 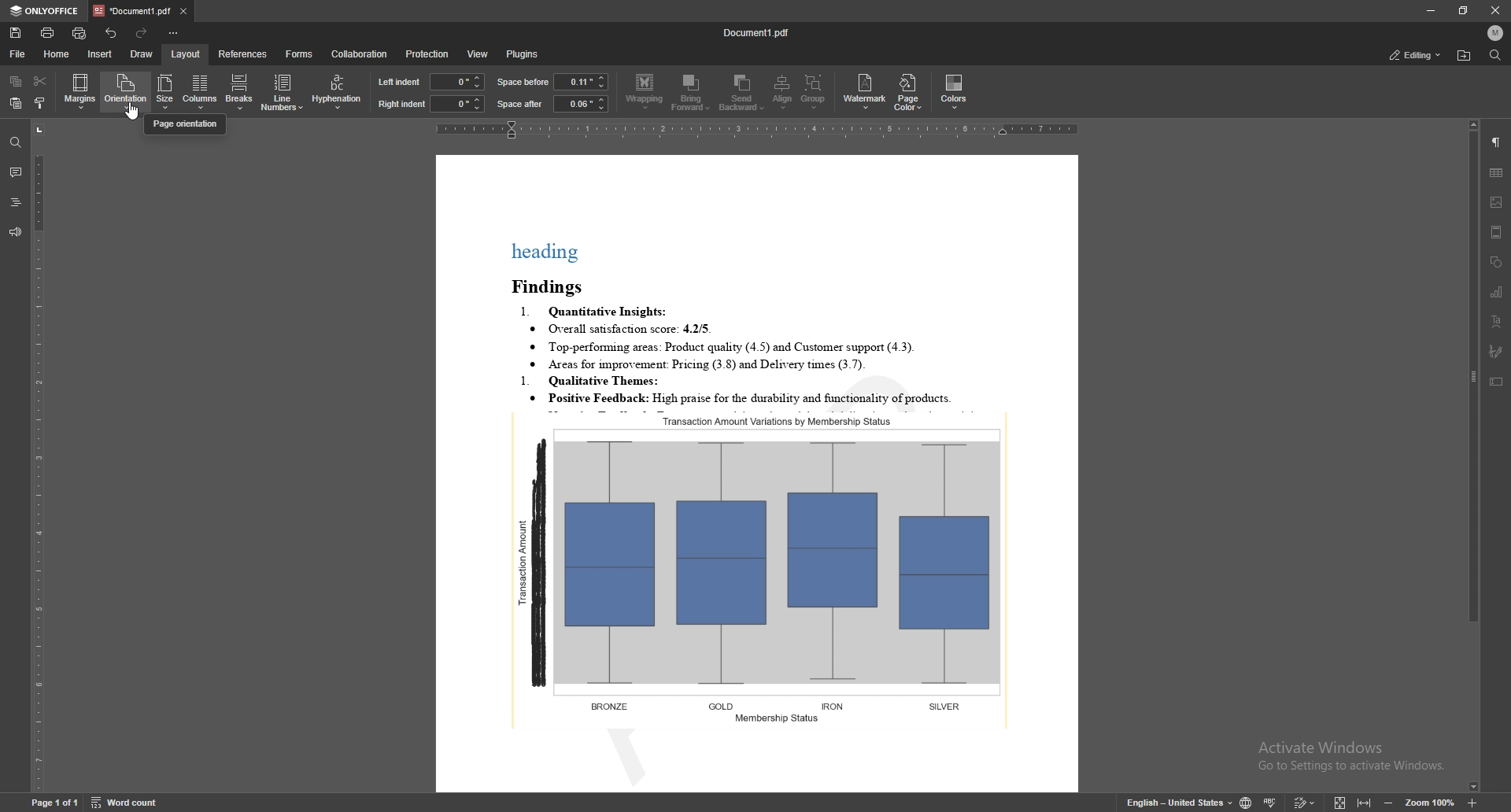 What do you see at coordinates (42, 80) in the screenshot?
I see `cut` at bounding box center [42, 80].